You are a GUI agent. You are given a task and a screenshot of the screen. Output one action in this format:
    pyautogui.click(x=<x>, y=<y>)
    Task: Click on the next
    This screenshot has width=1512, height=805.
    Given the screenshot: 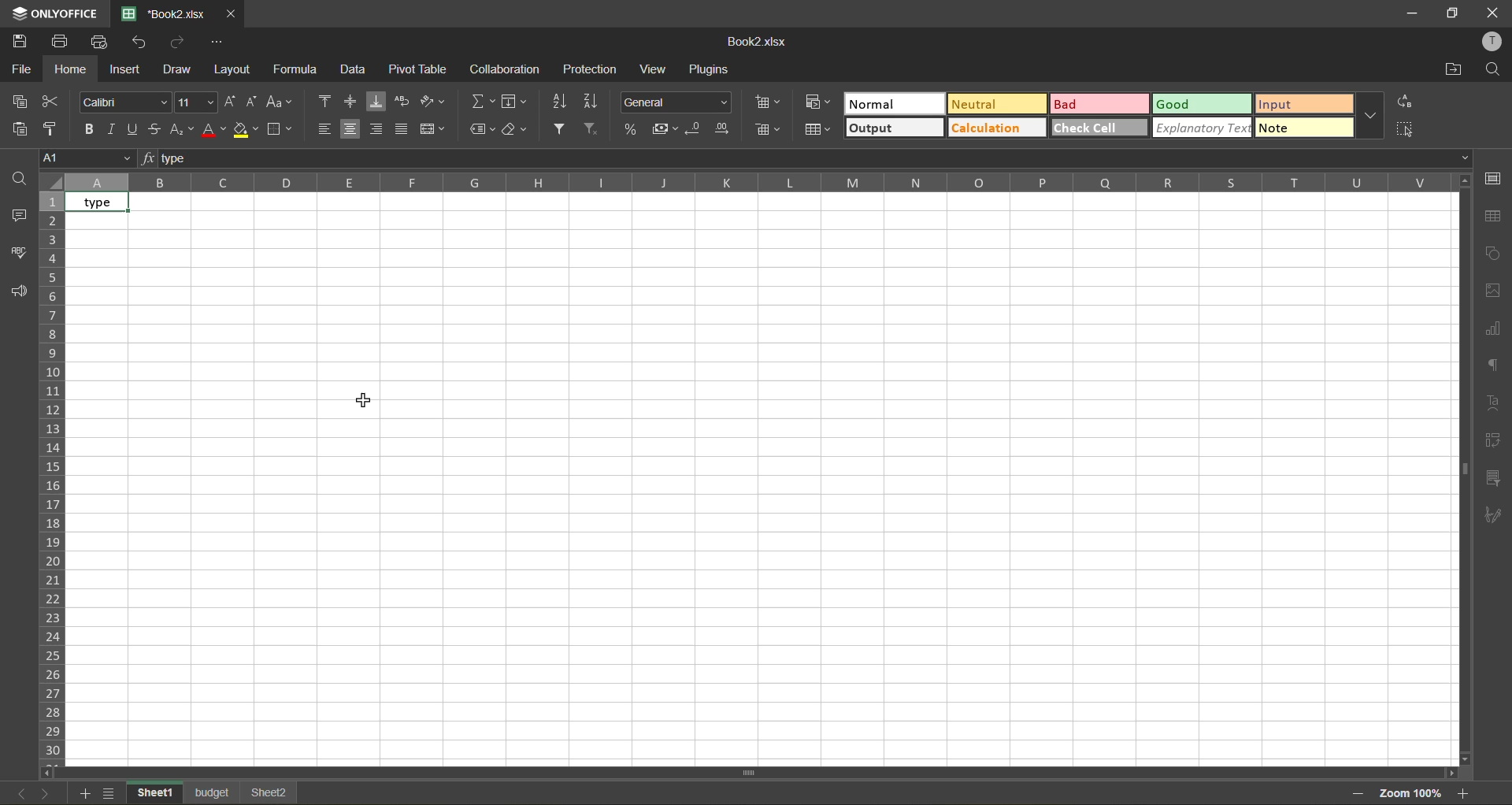 What is the action you would take?
    pyautogui.click(x=46, y=792)
    